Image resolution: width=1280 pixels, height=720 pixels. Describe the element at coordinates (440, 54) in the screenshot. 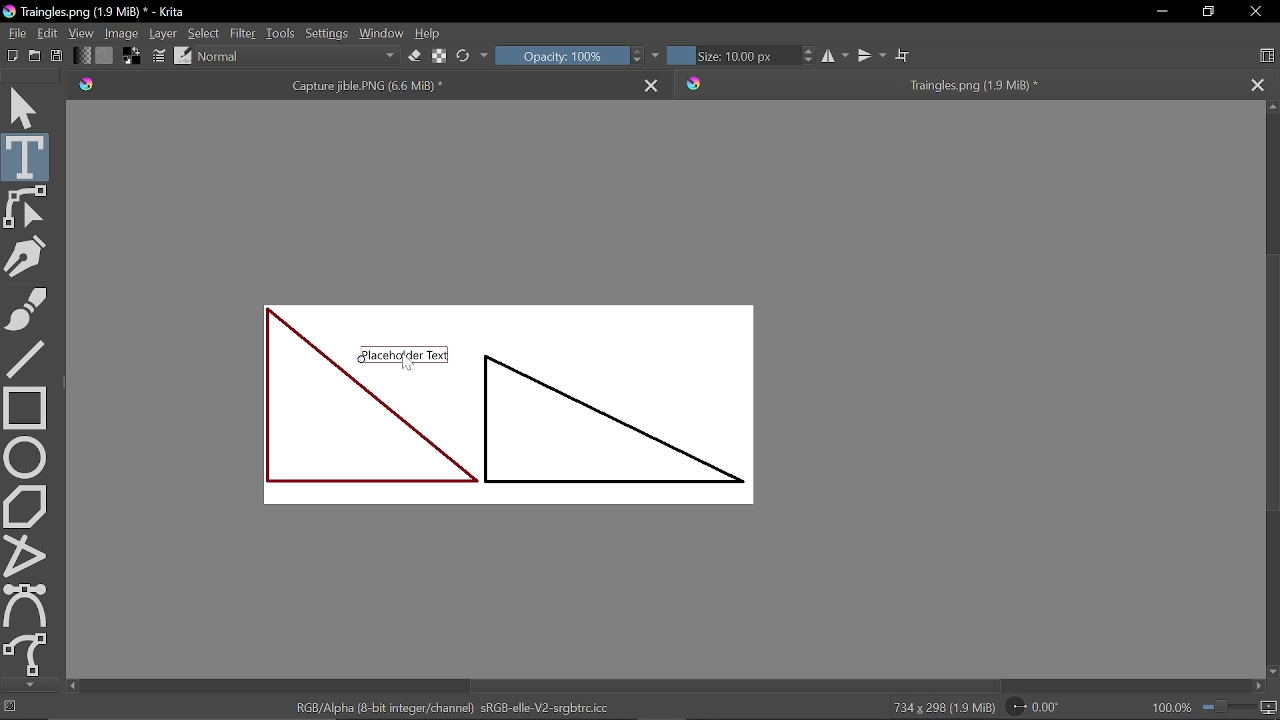

I see `Preserve Alpha` at that location.